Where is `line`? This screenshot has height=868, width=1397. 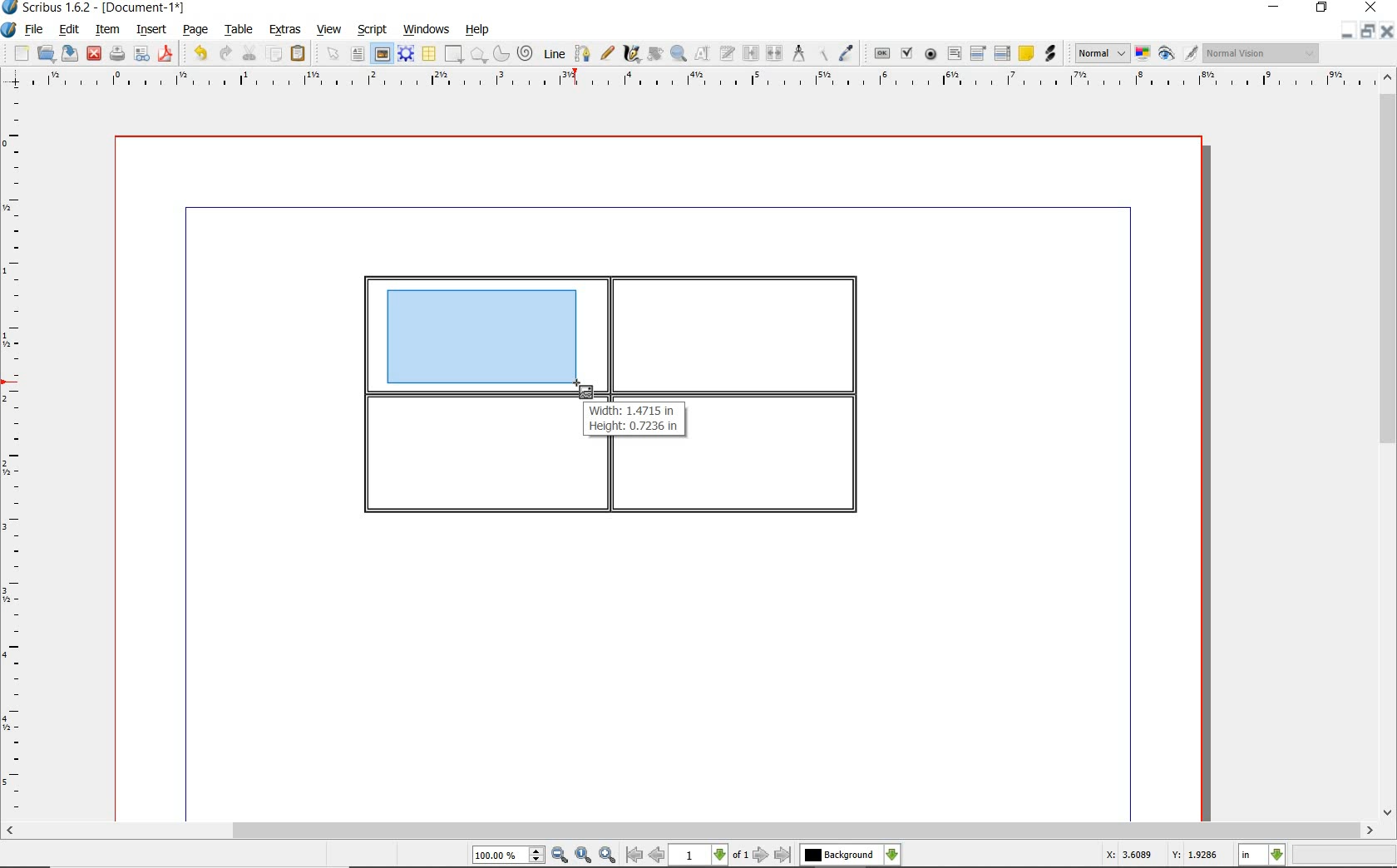
line is located at coordinates (555, 52).